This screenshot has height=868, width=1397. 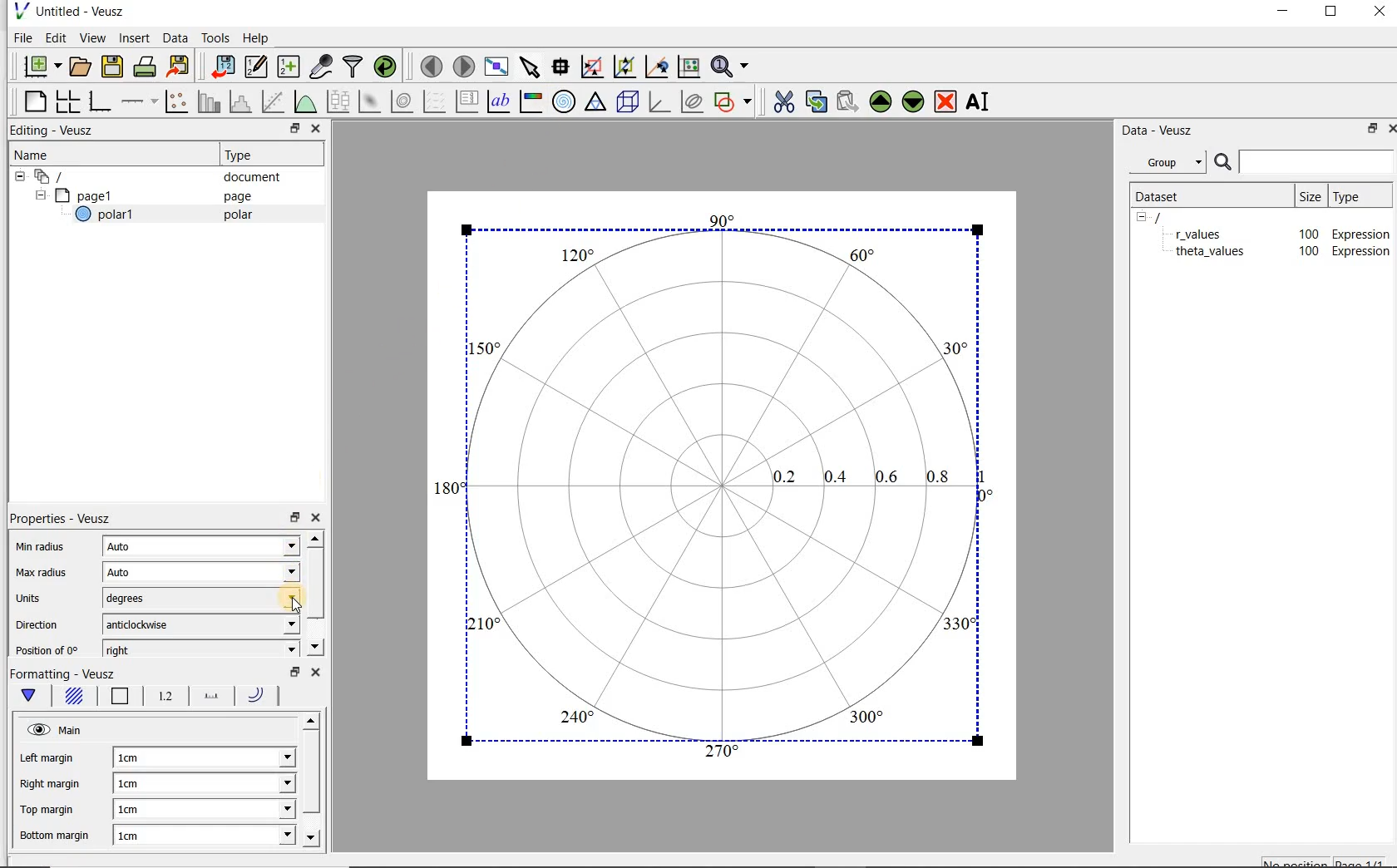 I want to click on add an axis to a plot, so click(x=141, y=101).